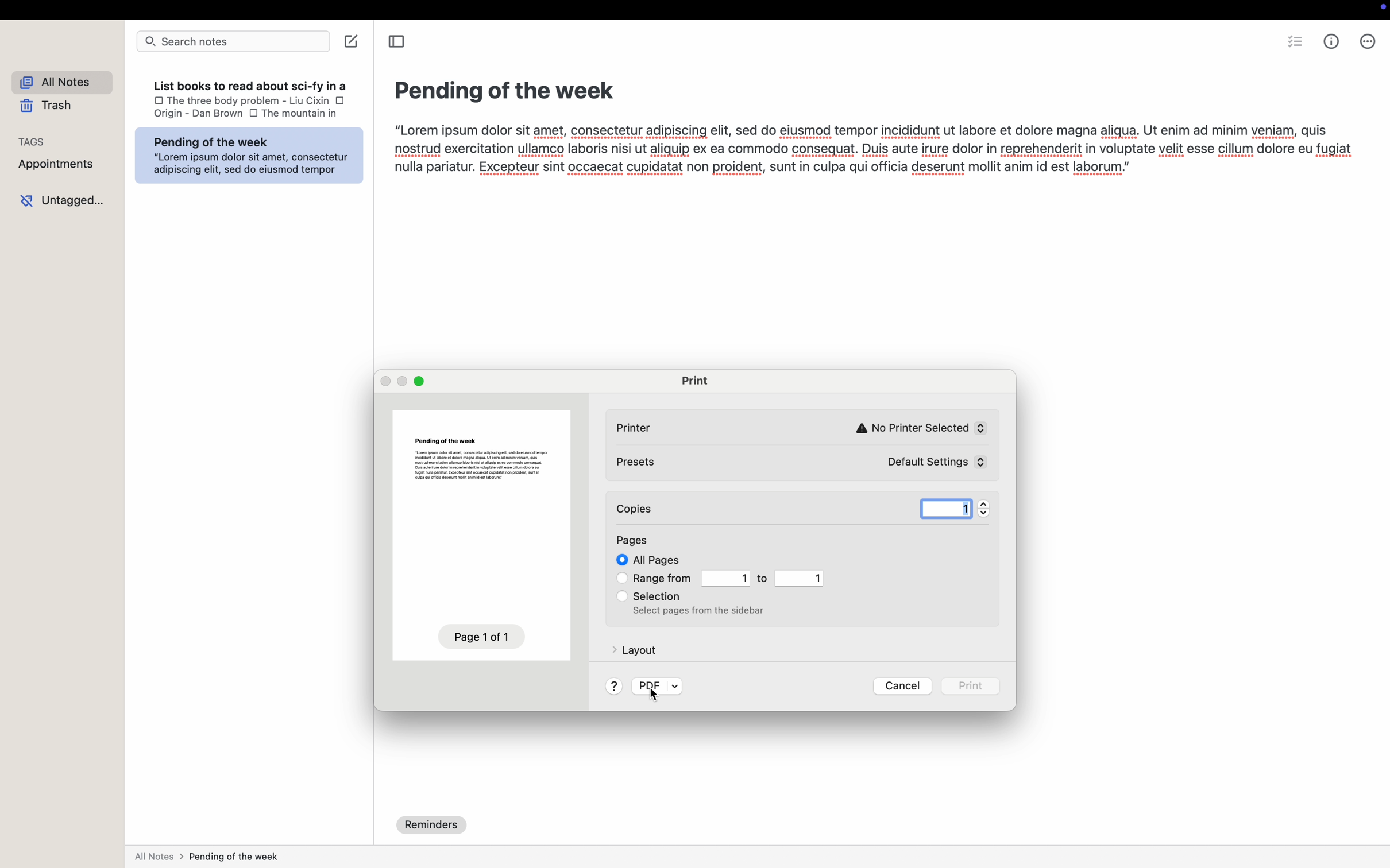  What do you see at coordinates (1381, 9) in the screenshot?
I see `recoding` at bounding box center [1381, 9].